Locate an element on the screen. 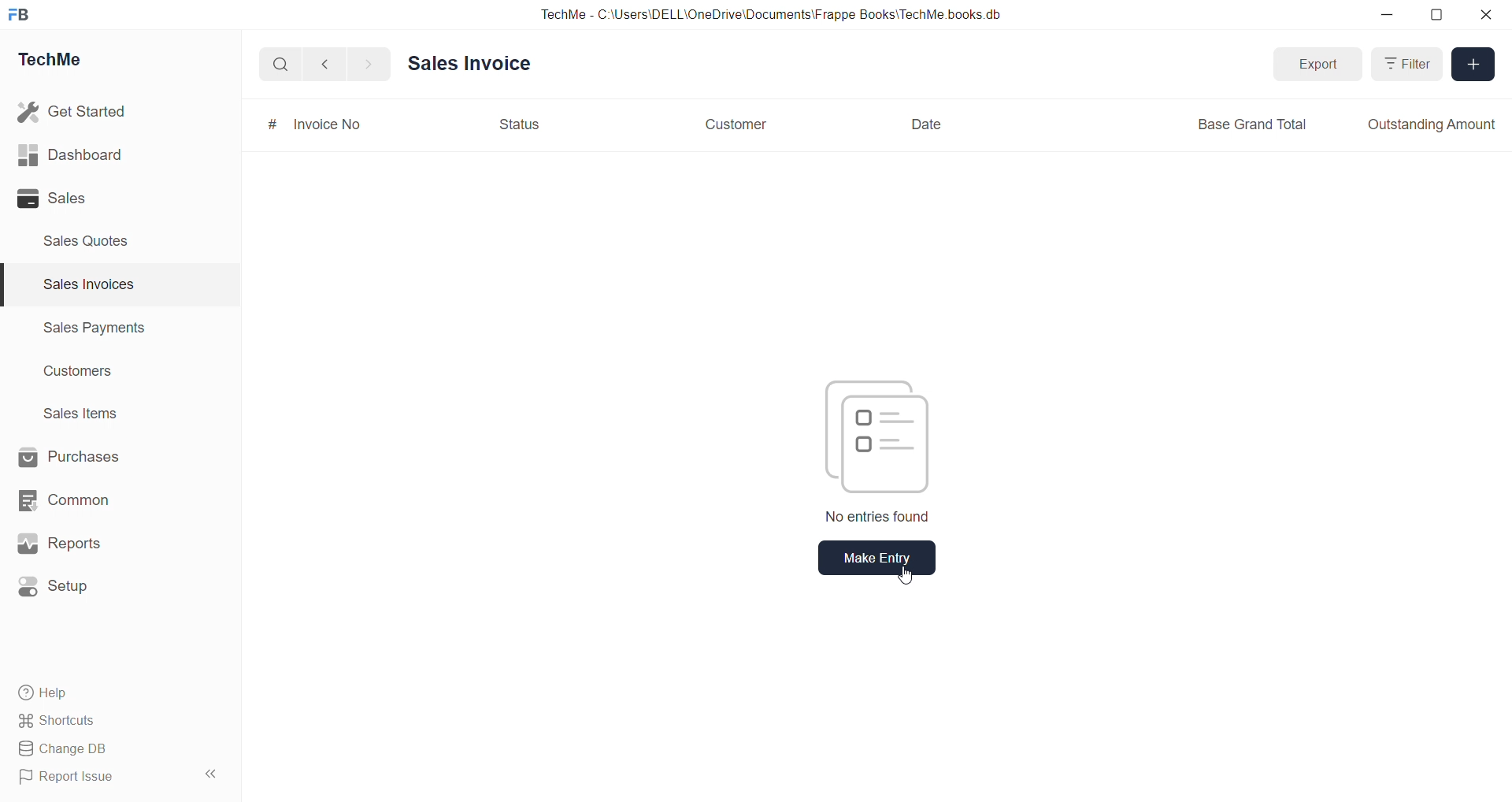  Purchases is located at coordinates (69, 456).